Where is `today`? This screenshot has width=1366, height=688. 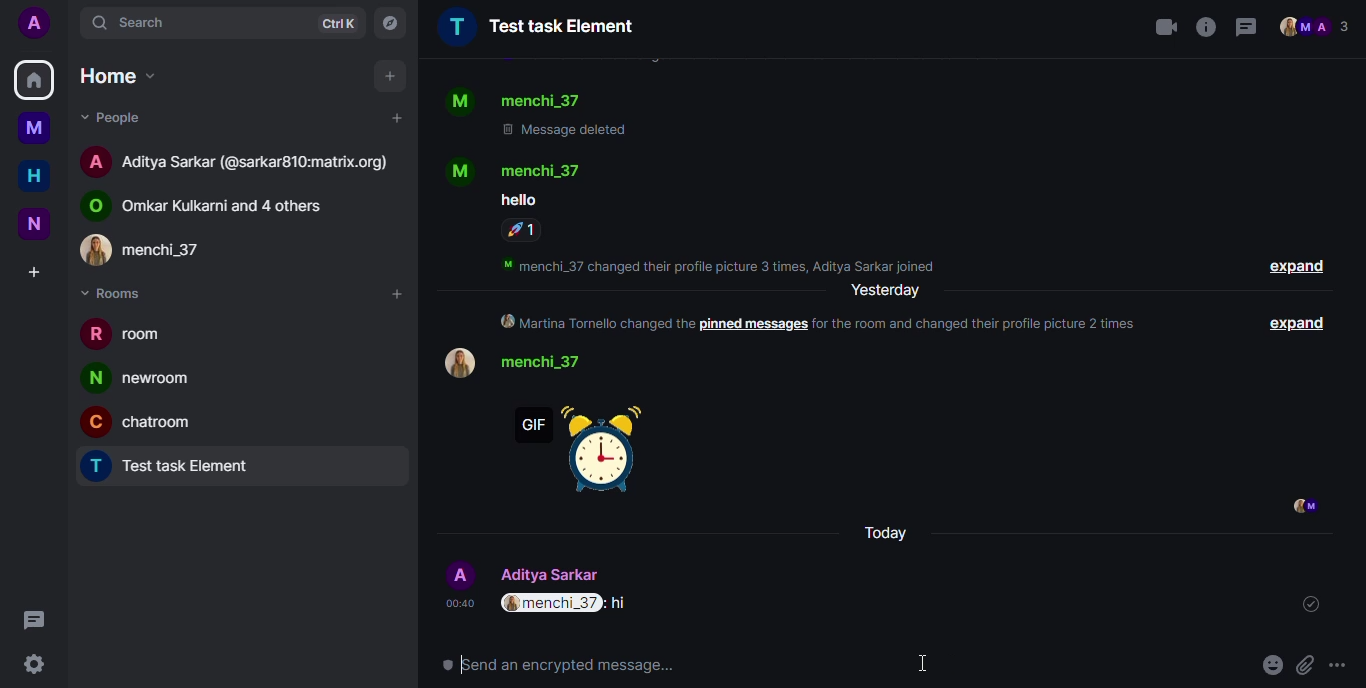
today is located at coordinates (886, 532).